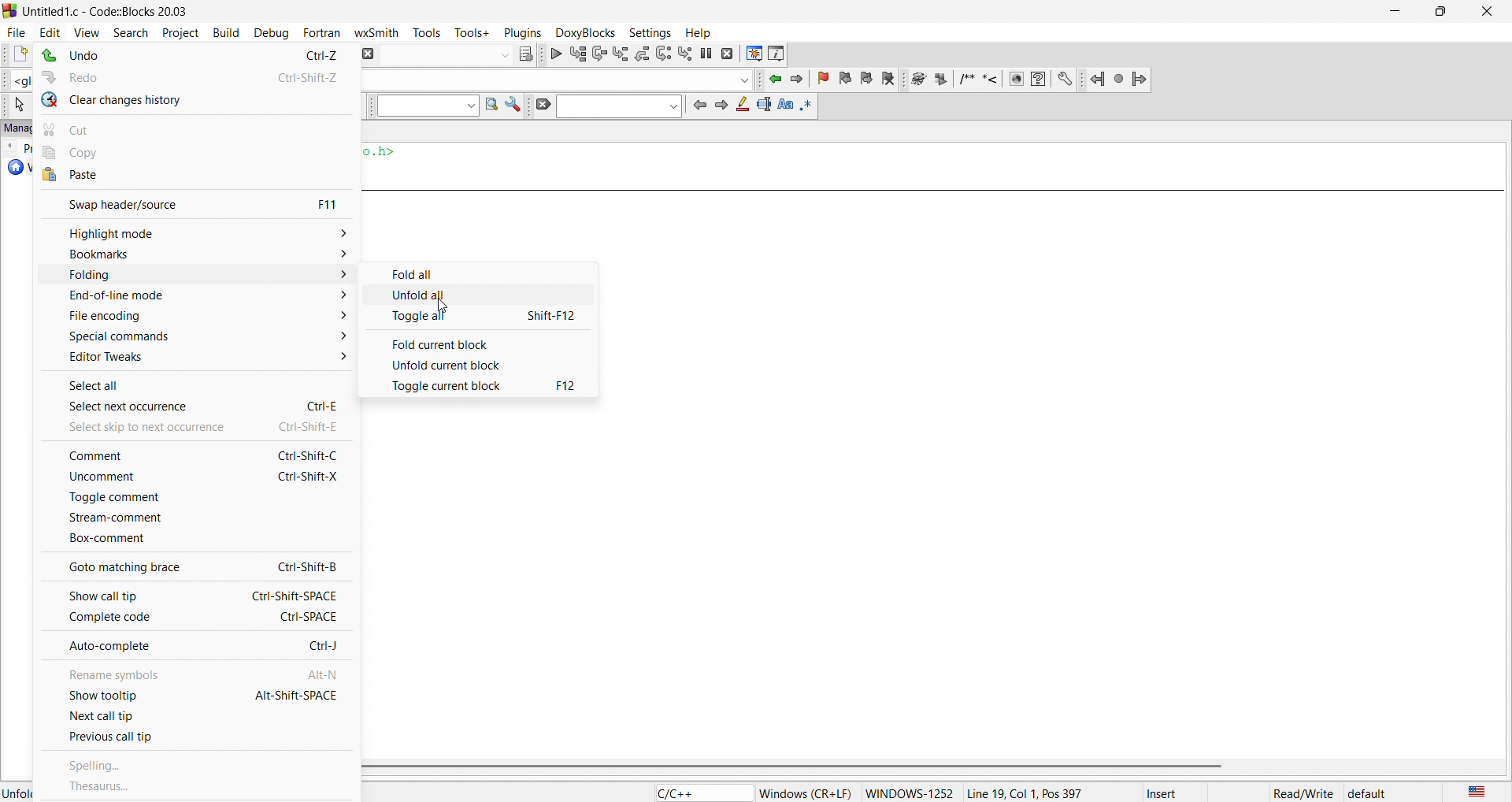  What do you see at coordinates (319, 32) in the screenshot?
I see `fortran` at bounding box center [319, 32].